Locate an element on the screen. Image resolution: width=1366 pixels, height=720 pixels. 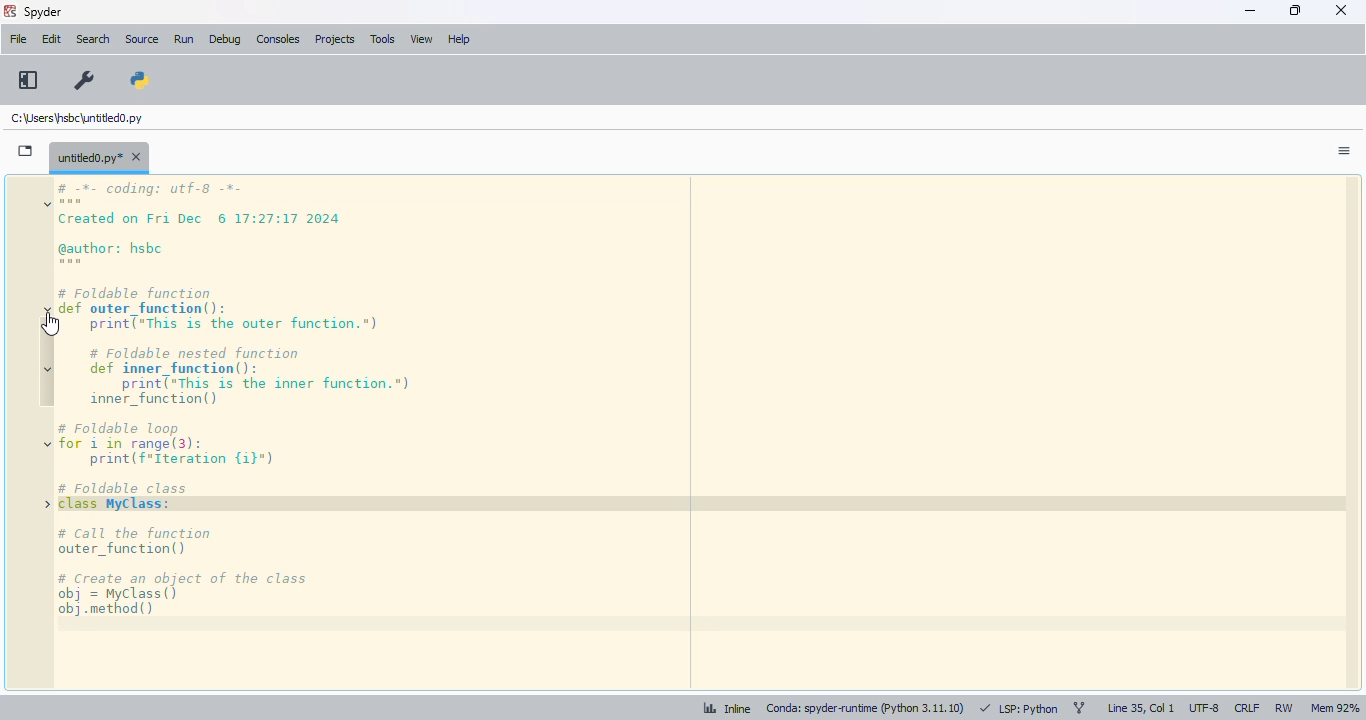
debug is located at coordinates (225, 39).